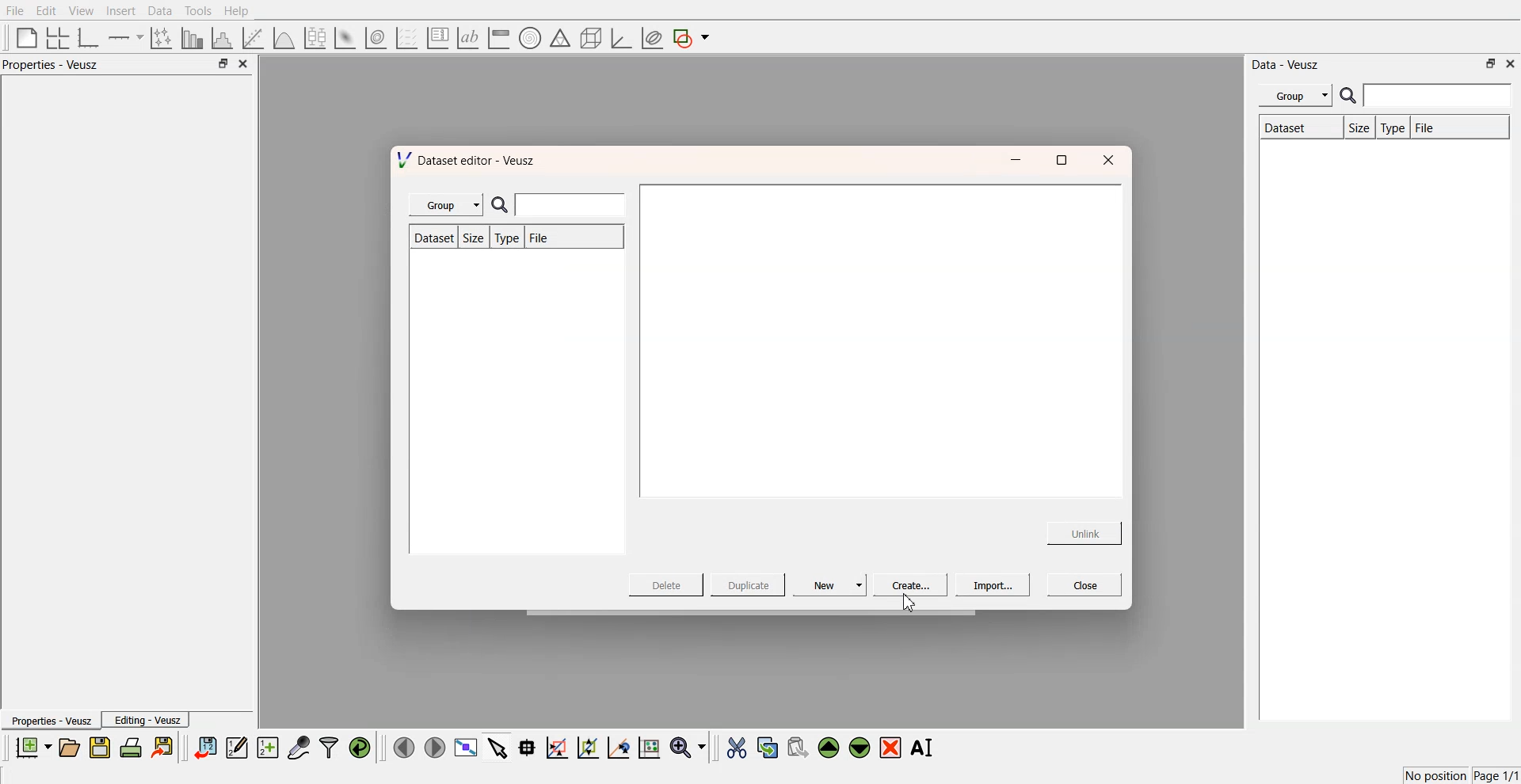  I want to click on Properties - Veusz, so click(51, 721).